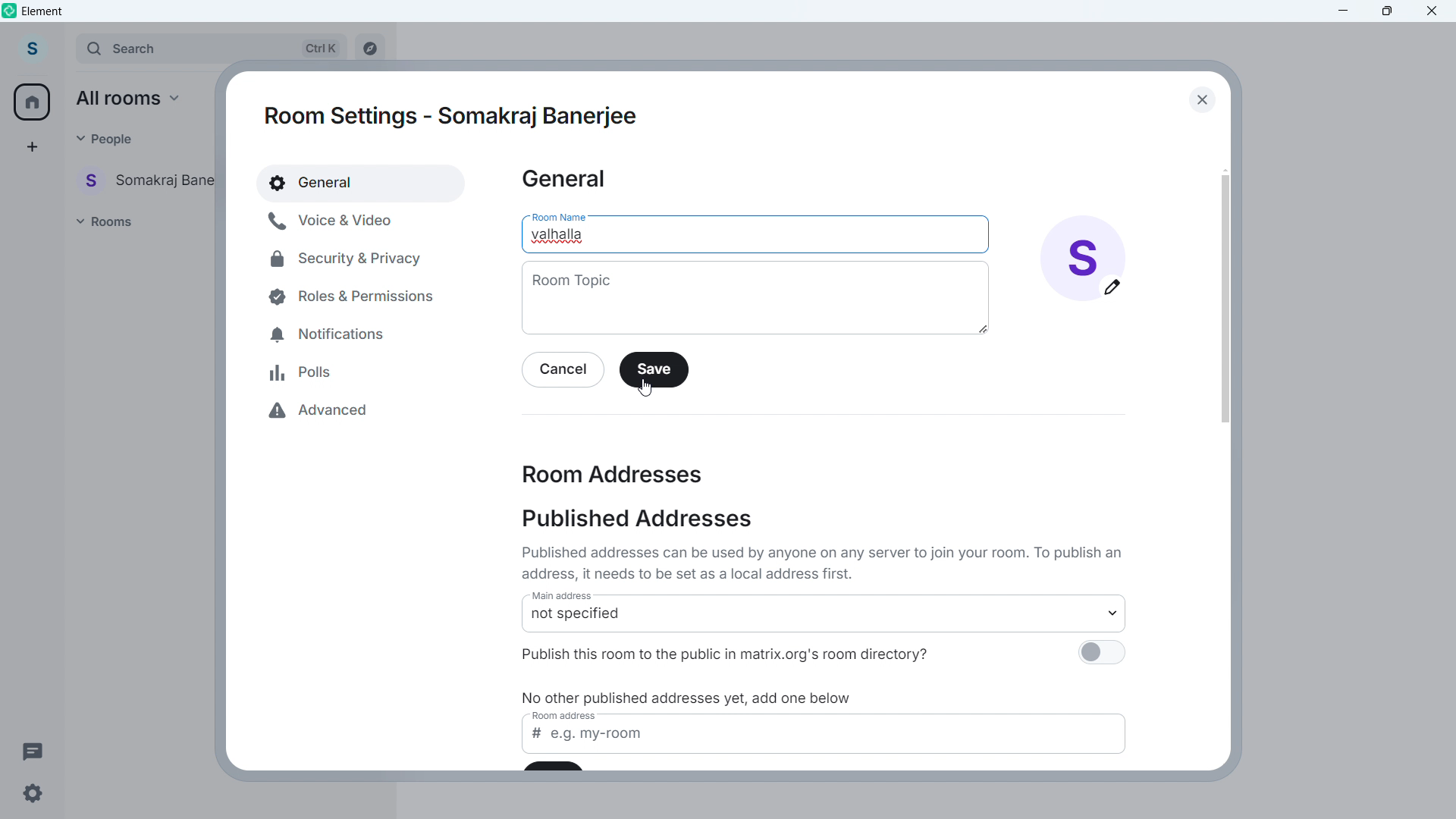 This screenshot has width=1456, height=819. I want to click on Published addresses , so click(636, 519).